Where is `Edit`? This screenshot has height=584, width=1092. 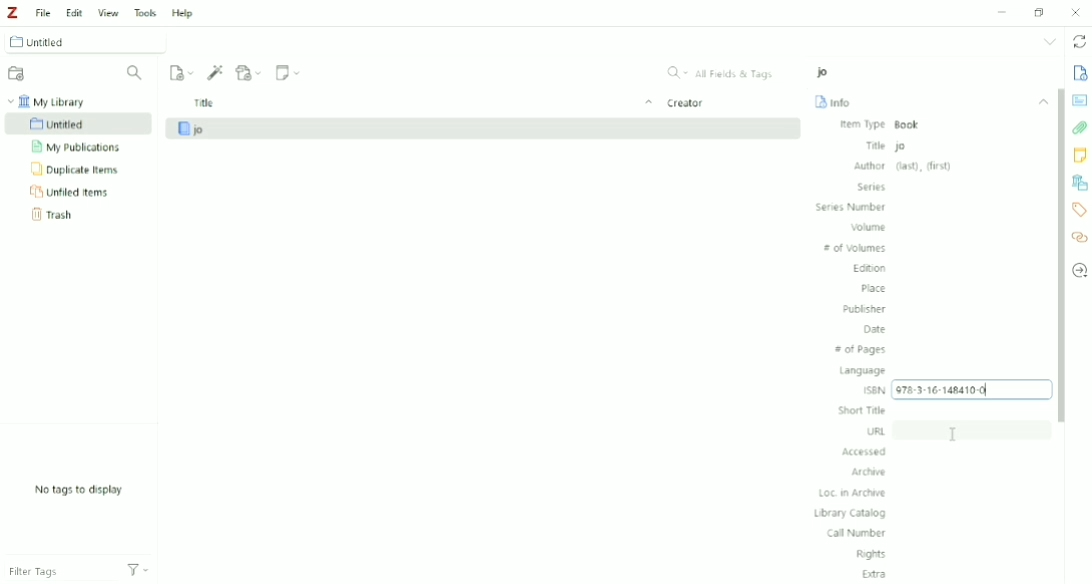 Edit is located at coordinates (75, 12).